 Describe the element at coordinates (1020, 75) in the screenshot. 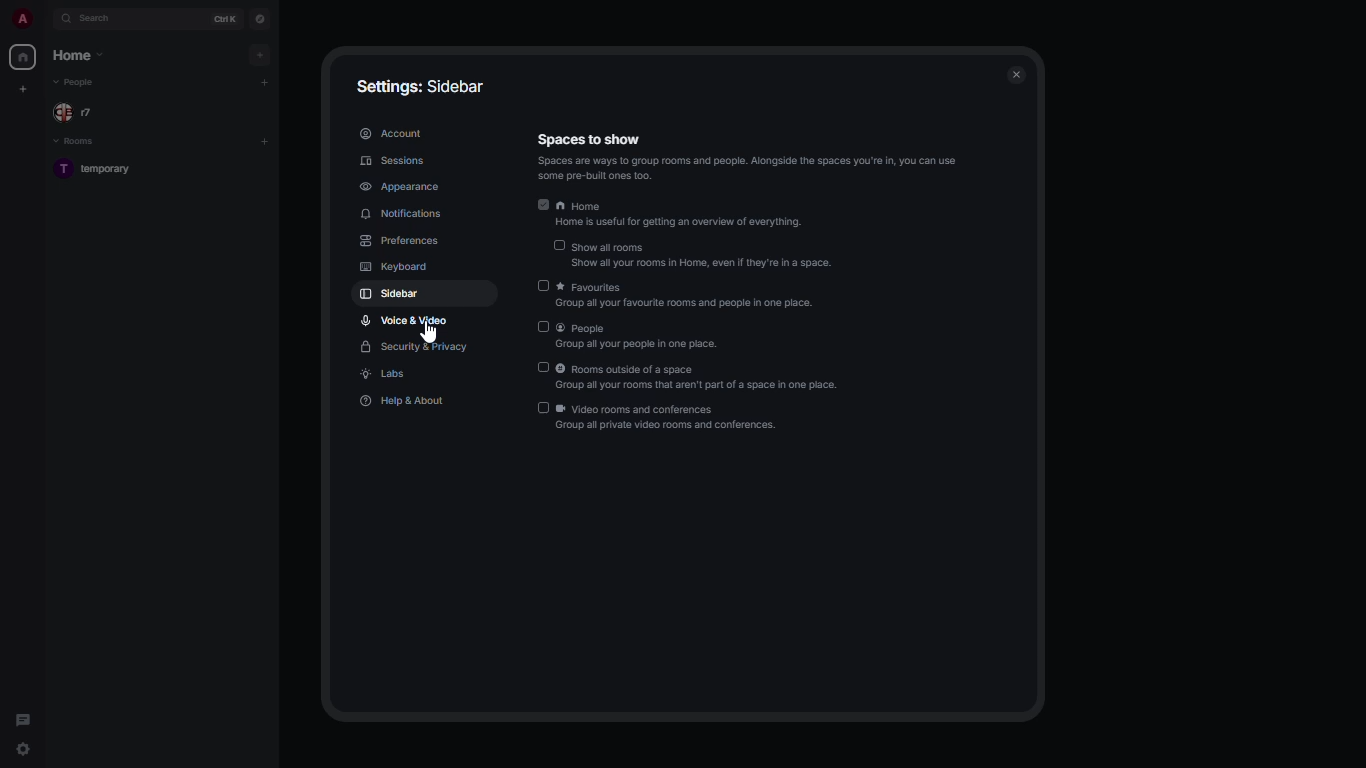

I see `close` at that location.